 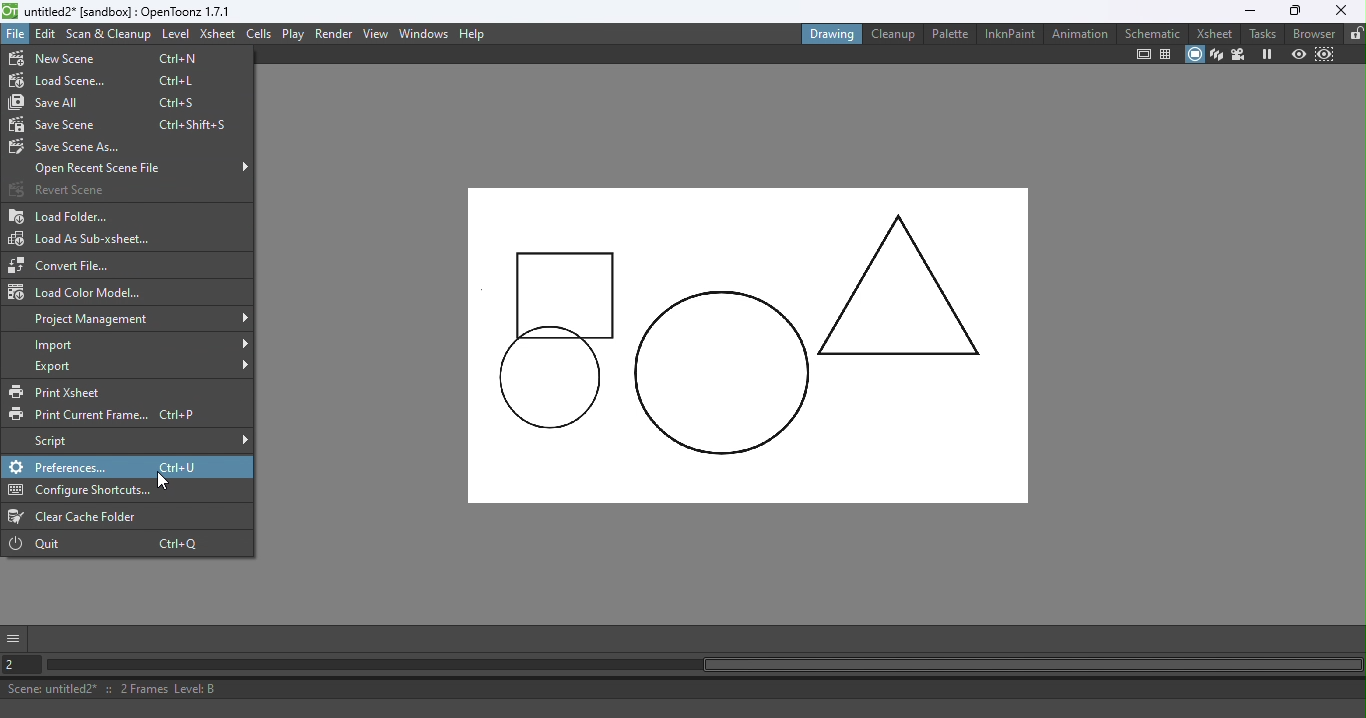 I want to click on Browser, so click(x=1311, y=33).